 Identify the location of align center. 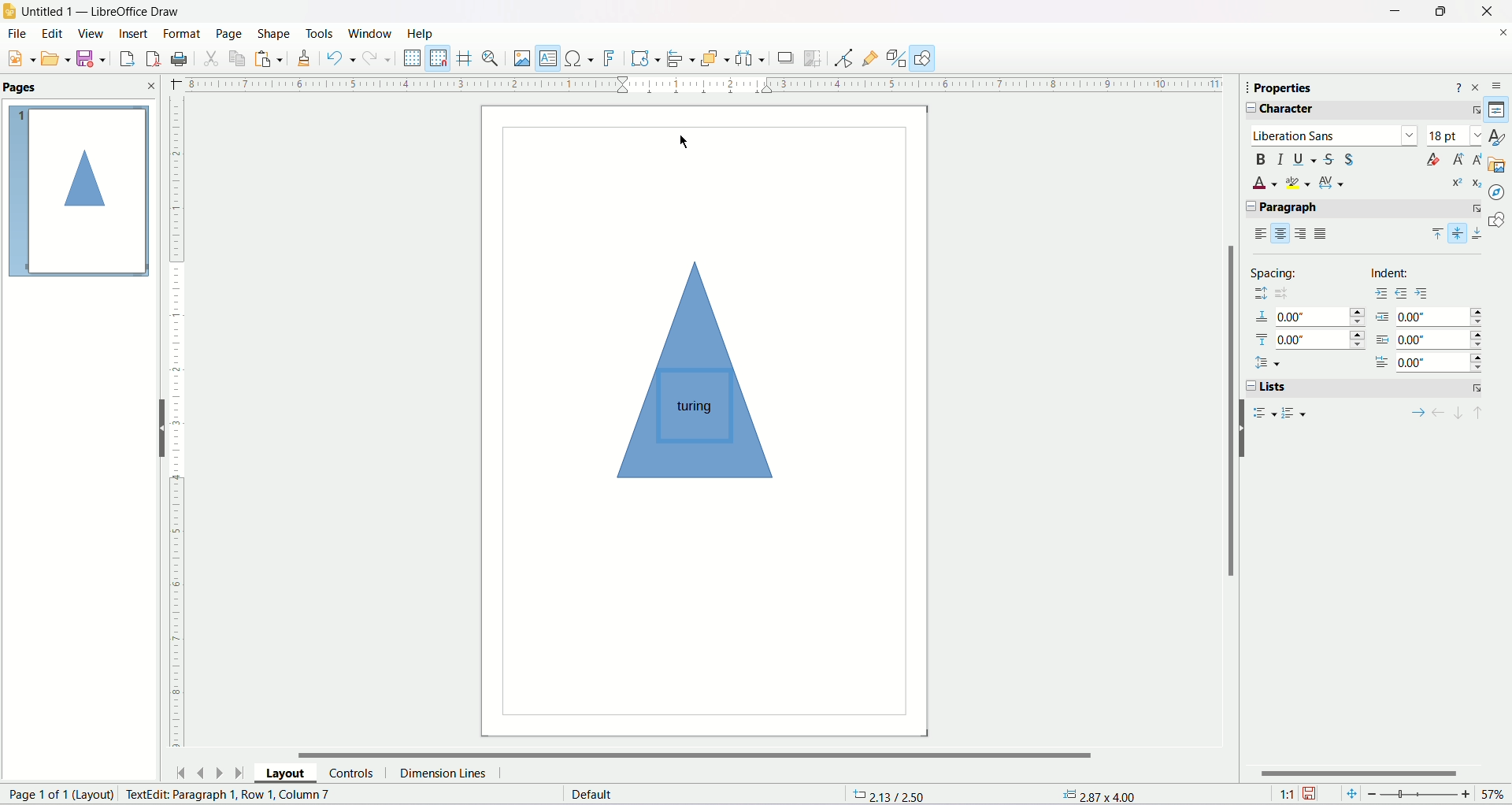
(1281, 232).